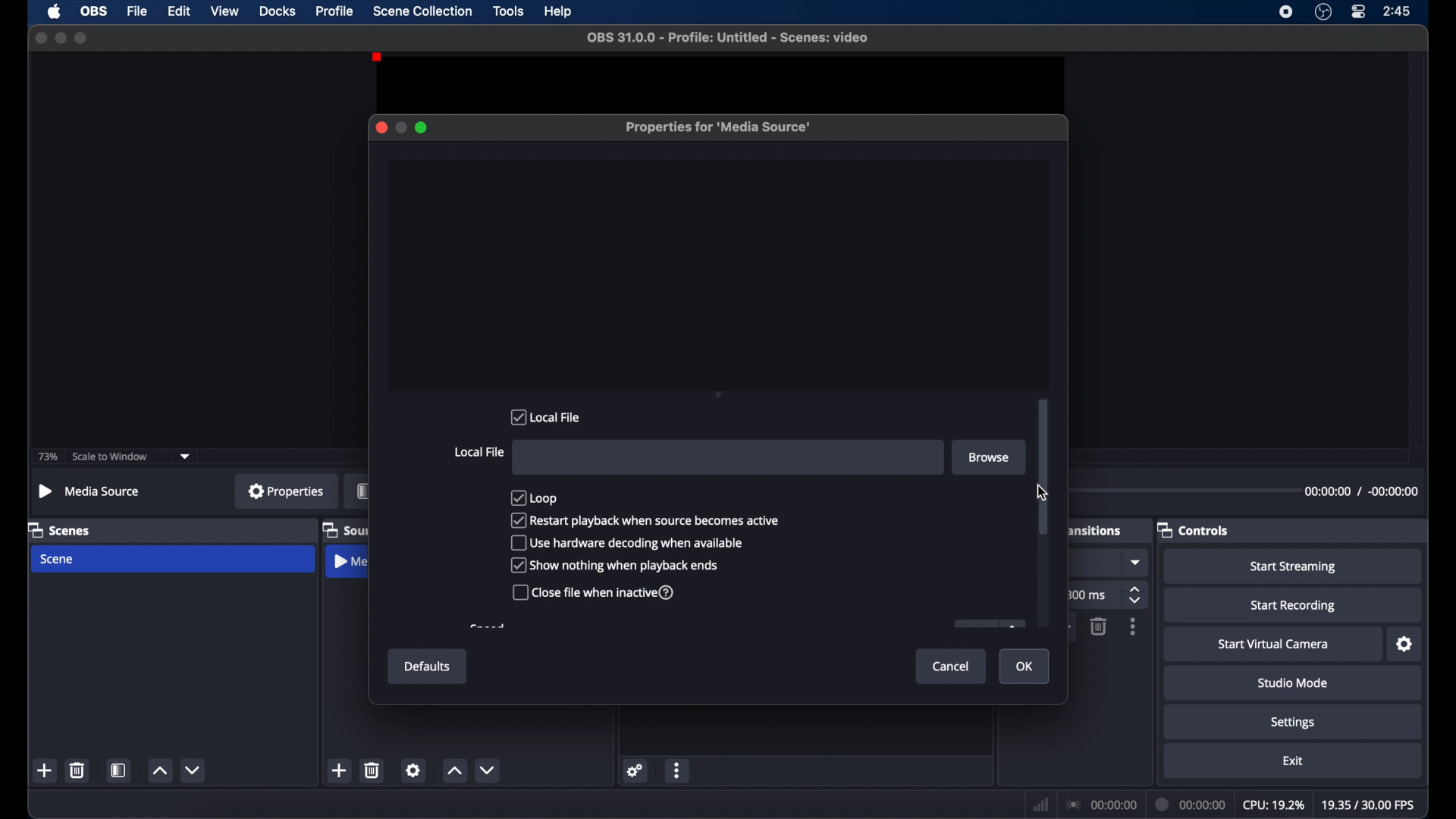 This screenshot has width=1456, height=819. I want to click on tools, so click(509, 11).